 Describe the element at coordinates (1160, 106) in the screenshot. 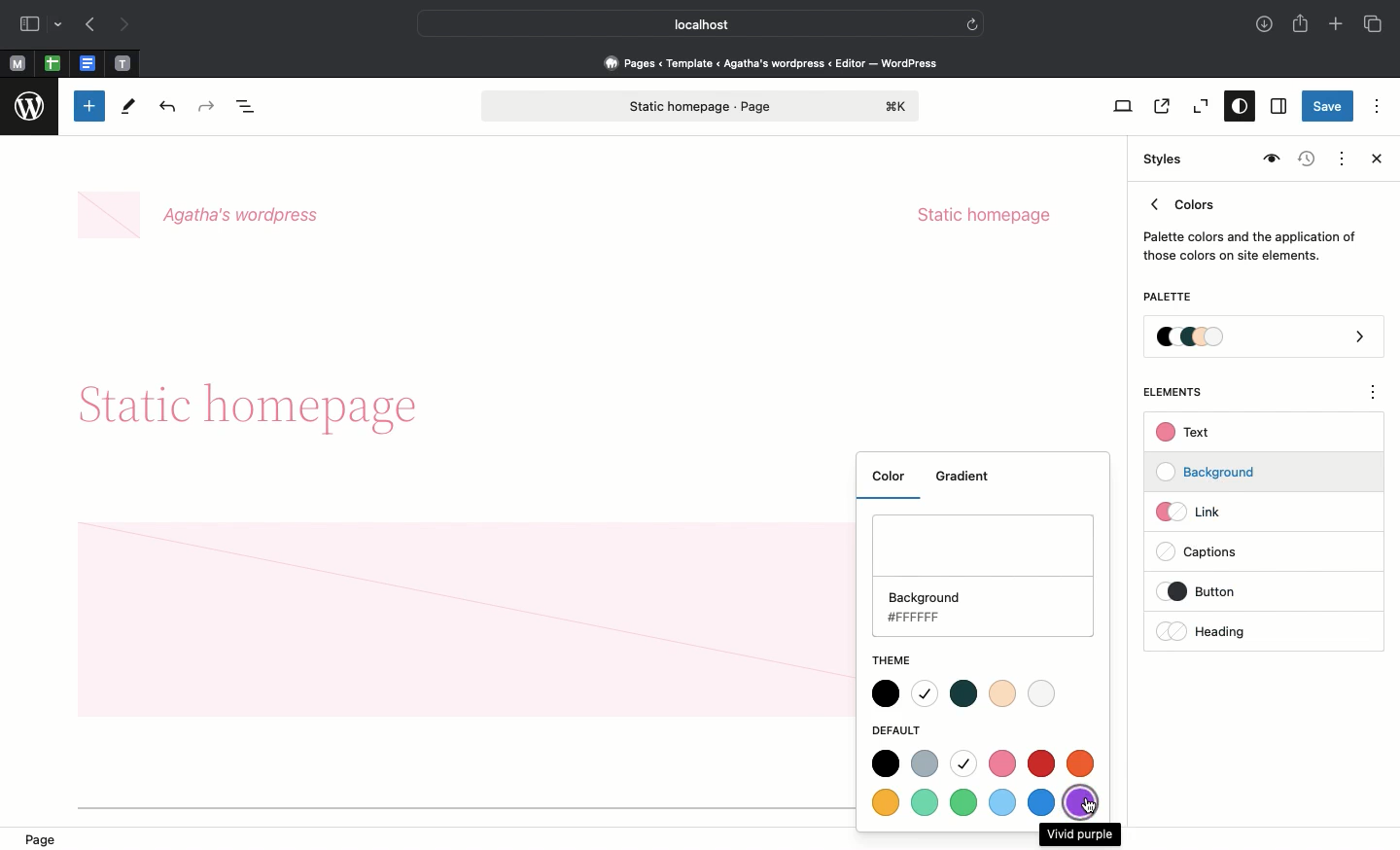

I see `View page` at that location.